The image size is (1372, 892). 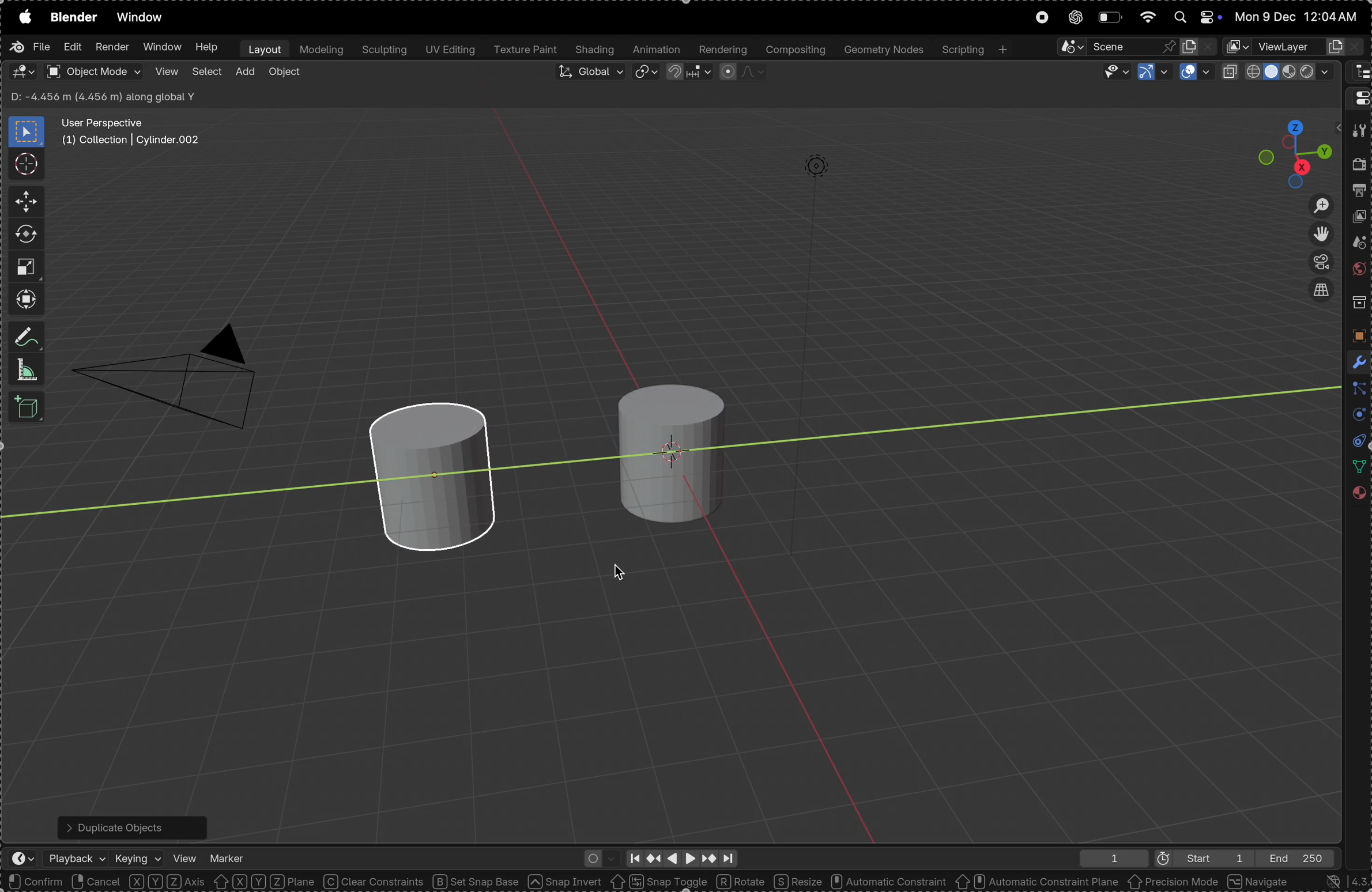 I want to click on cursor, so click(x=620, y=573).